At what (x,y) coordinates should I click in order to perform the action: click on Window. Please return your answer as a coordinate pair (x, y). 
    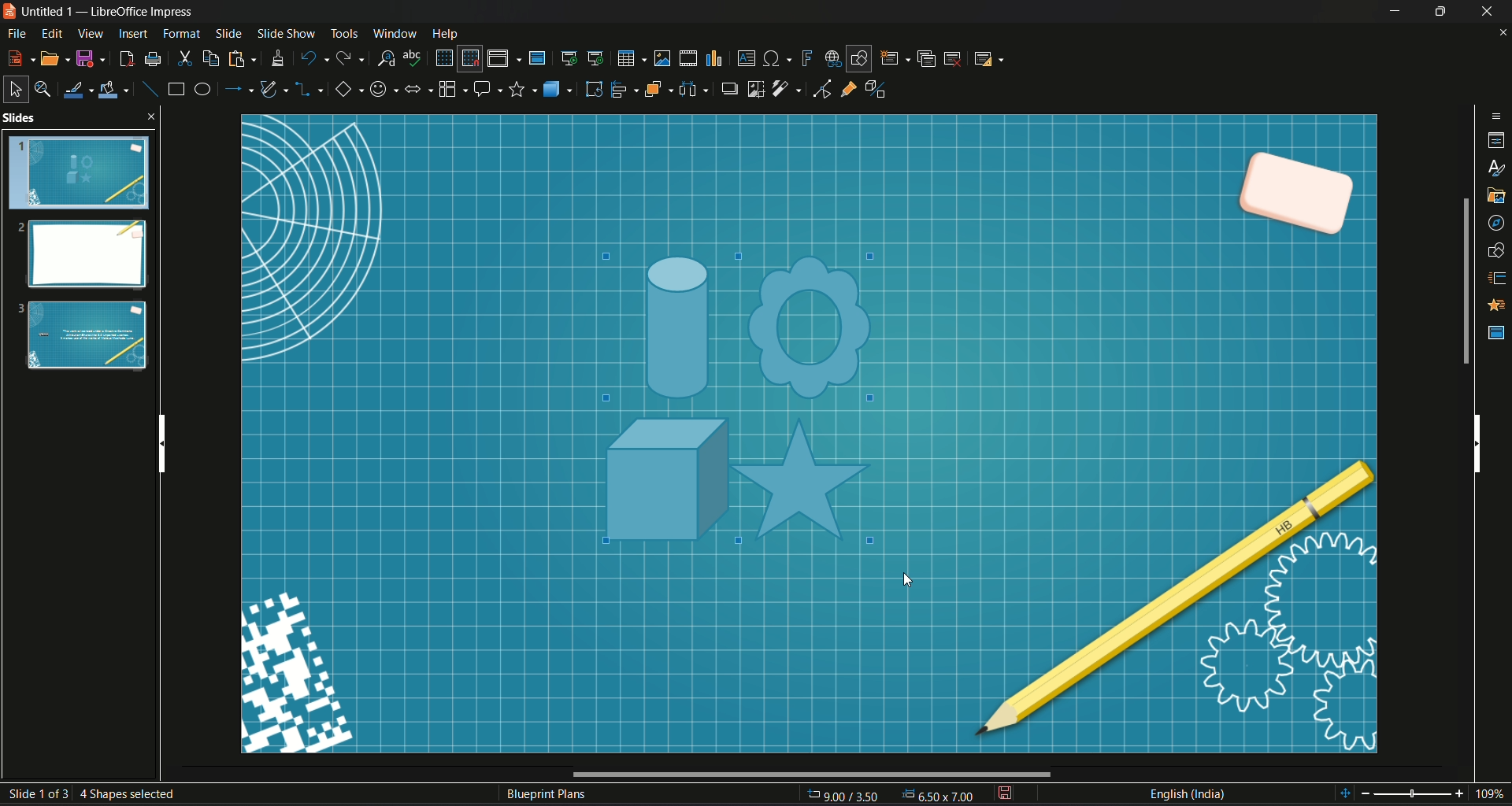
    Looking at the image, I should click on (391, 32).